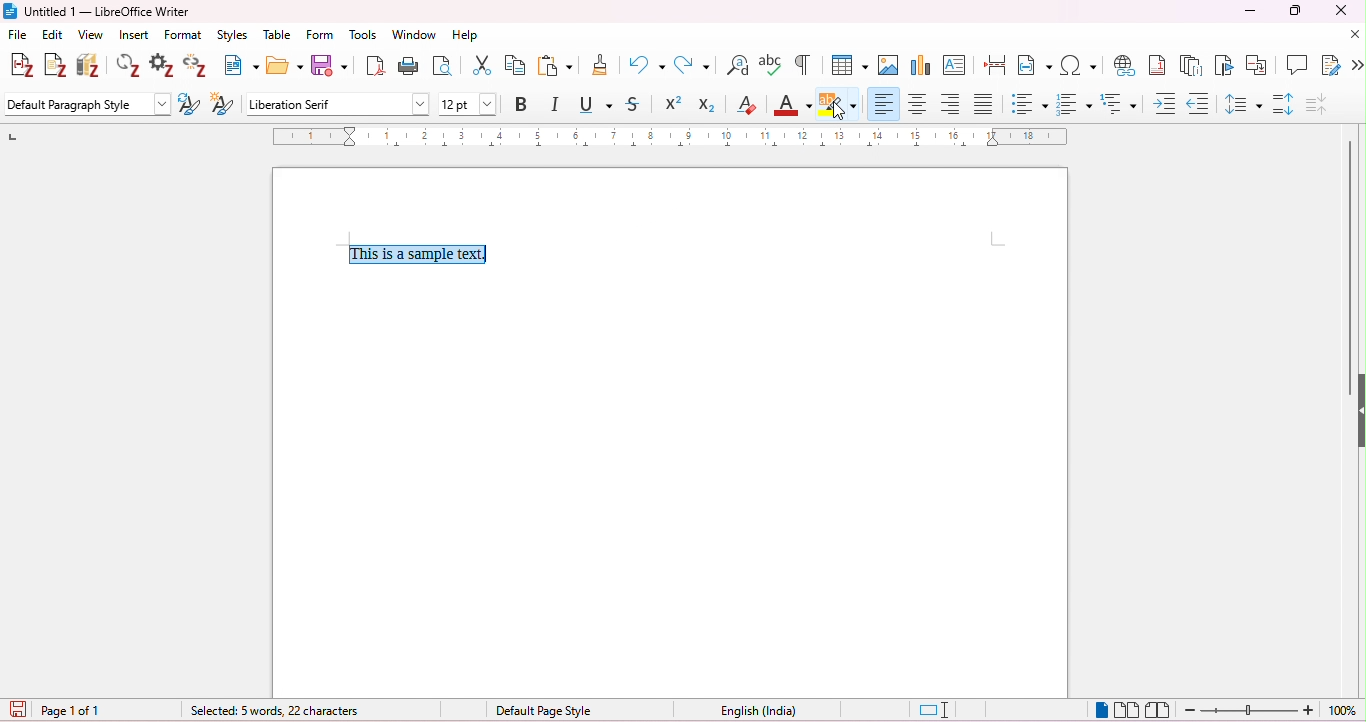 This screenshot has height=722, width=1366. Describe the element at coordinates (19, 66) in the screenshot. I see `add citations` at that location.